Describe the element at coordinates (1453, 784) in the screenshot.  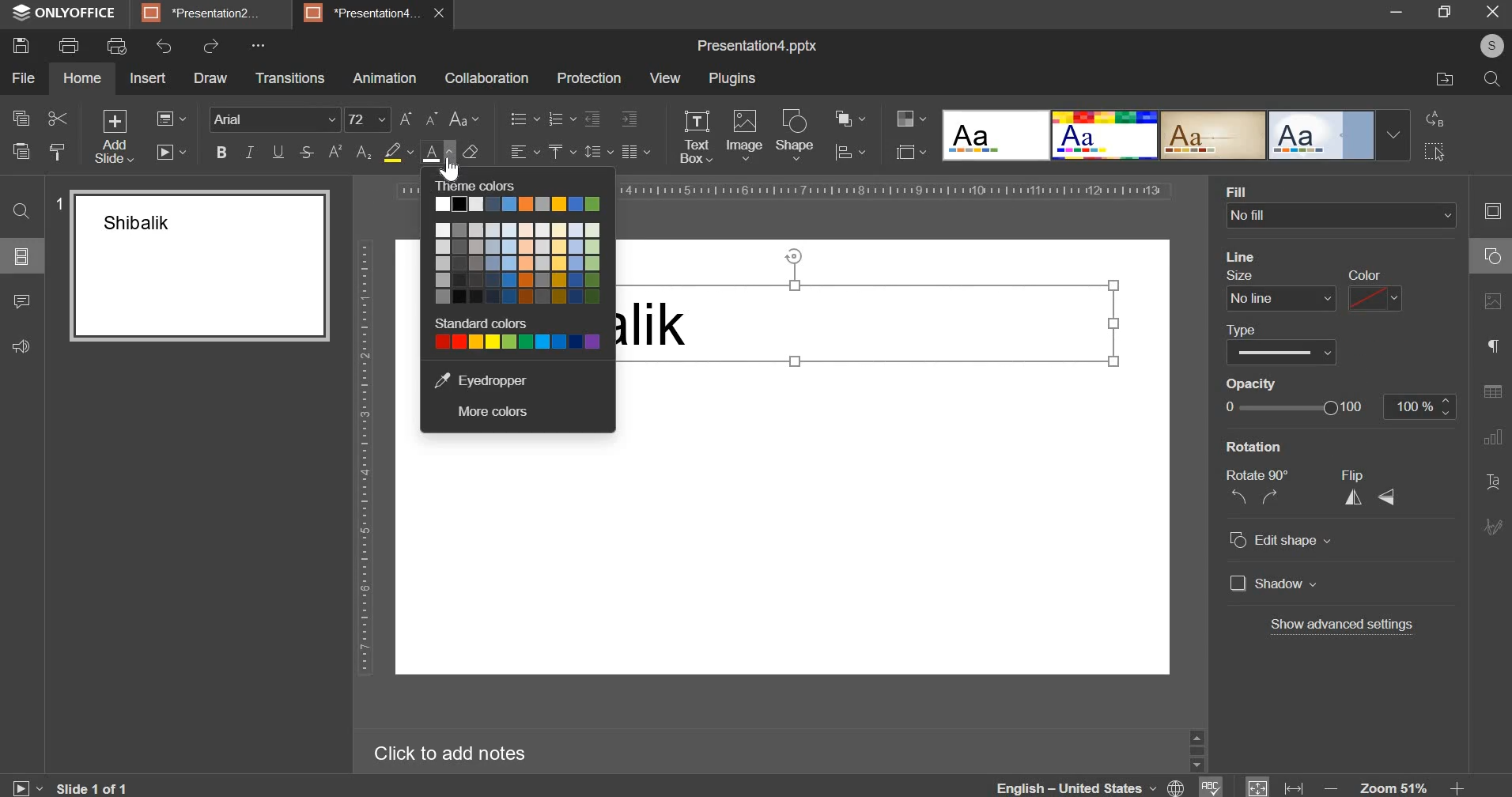
I see `zoom in` at that location.